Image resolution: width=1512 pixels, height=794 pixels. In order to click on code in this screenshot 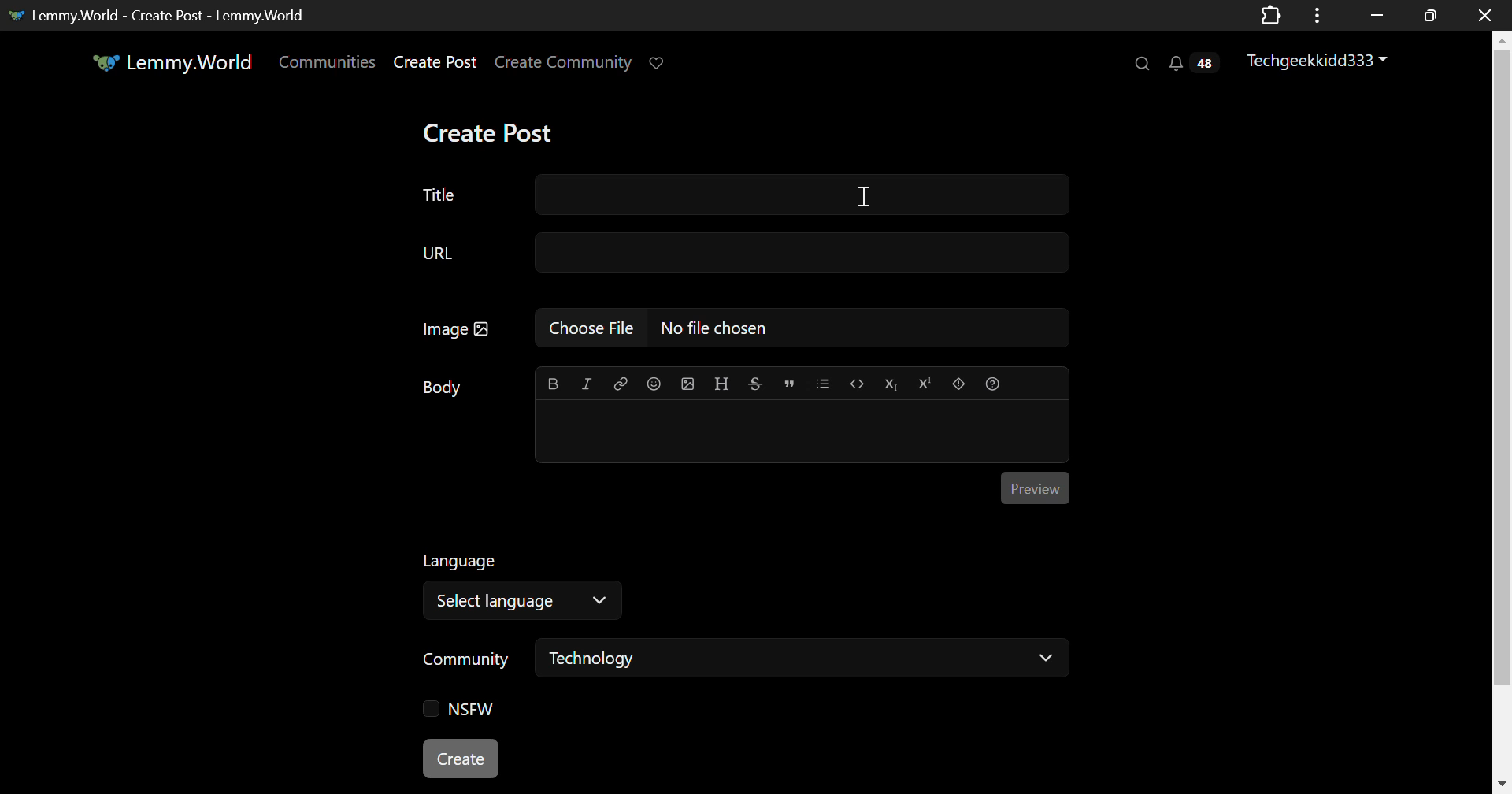, I will do `click(855, 383)`.